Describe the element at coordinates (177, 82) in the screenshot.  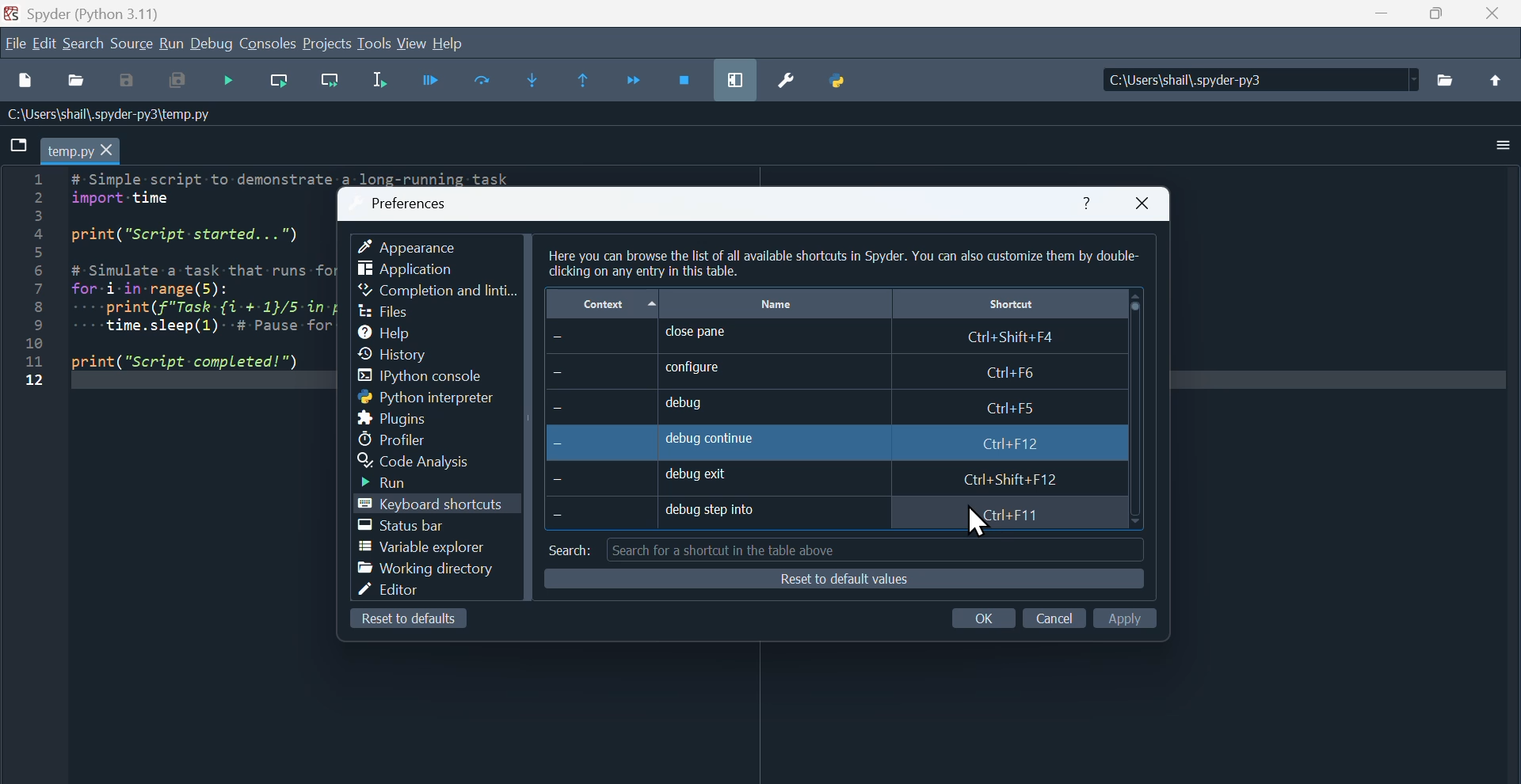
I see `save all` at that location.